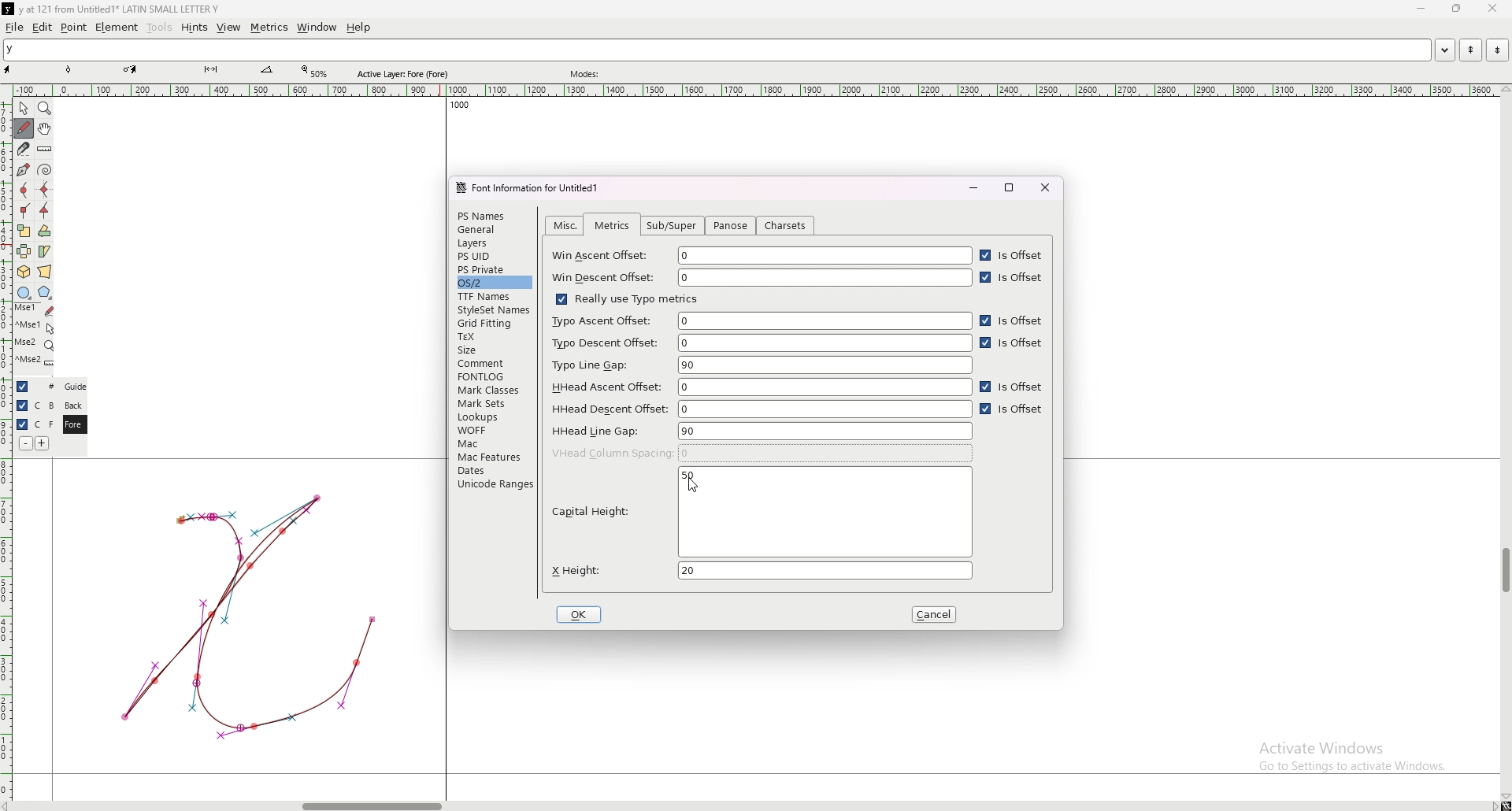  What do you see at coordinates (35, 362) in the screenshot?
I see `mse 2` at bounding box center [35, 362].